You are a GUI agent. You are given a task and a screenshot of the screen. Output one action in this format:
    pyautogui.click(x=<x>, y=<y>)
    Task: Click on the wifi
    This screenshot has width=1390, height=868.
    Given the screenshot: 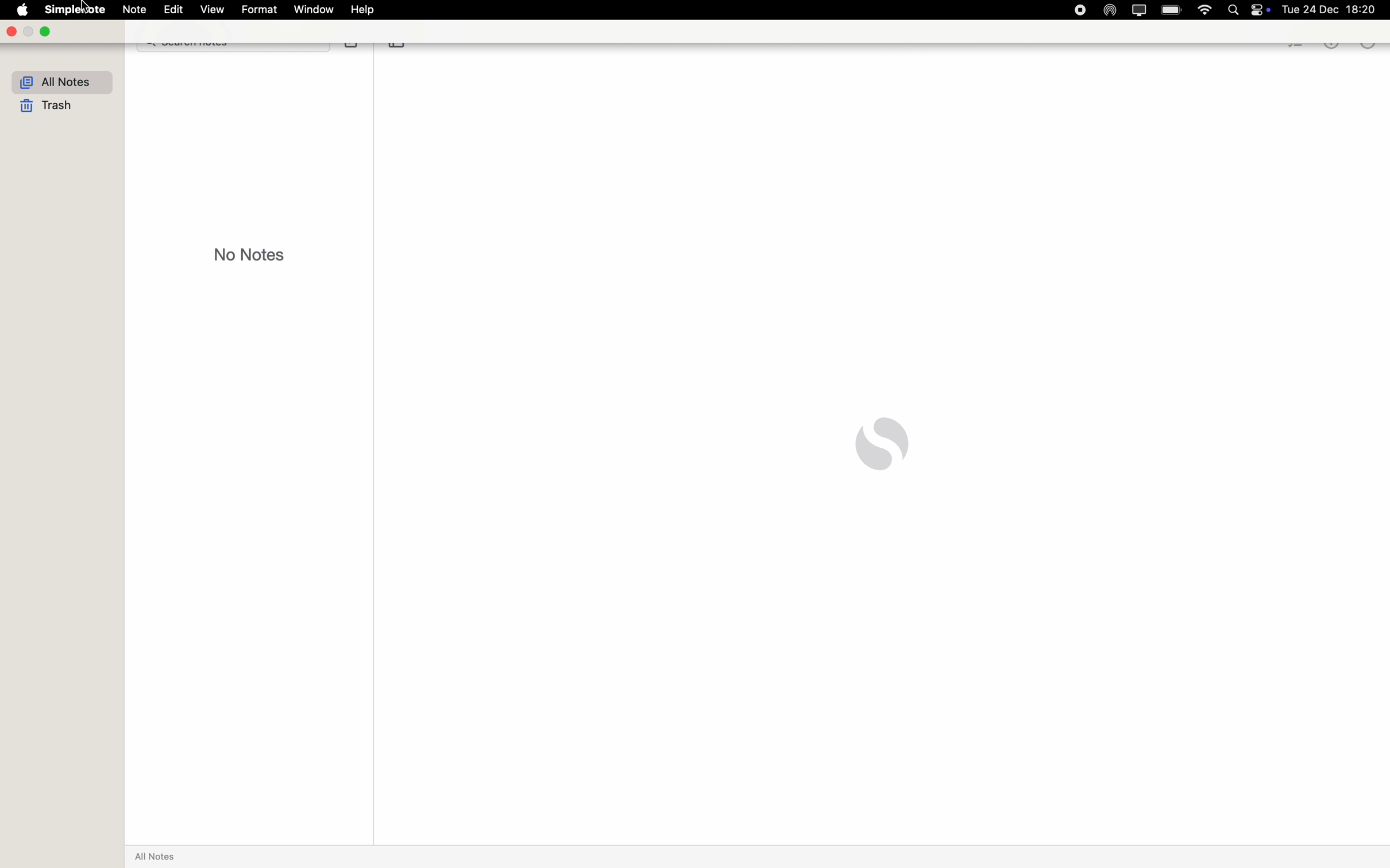 What is the action you would take?
    pyautogui.click(x=1205, y=11)
    